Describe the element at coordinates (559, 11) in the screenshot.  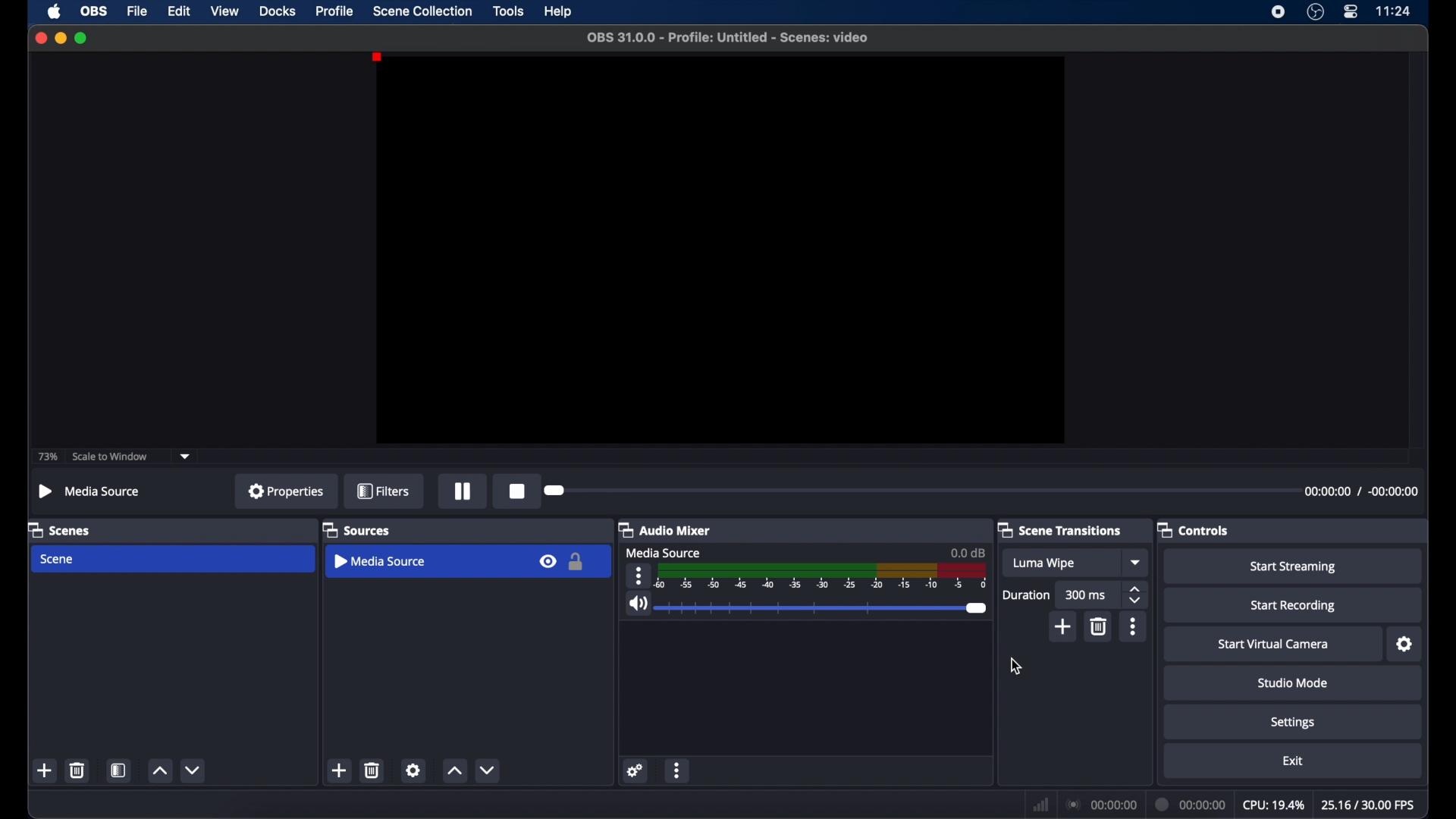
I see `help` at that location.